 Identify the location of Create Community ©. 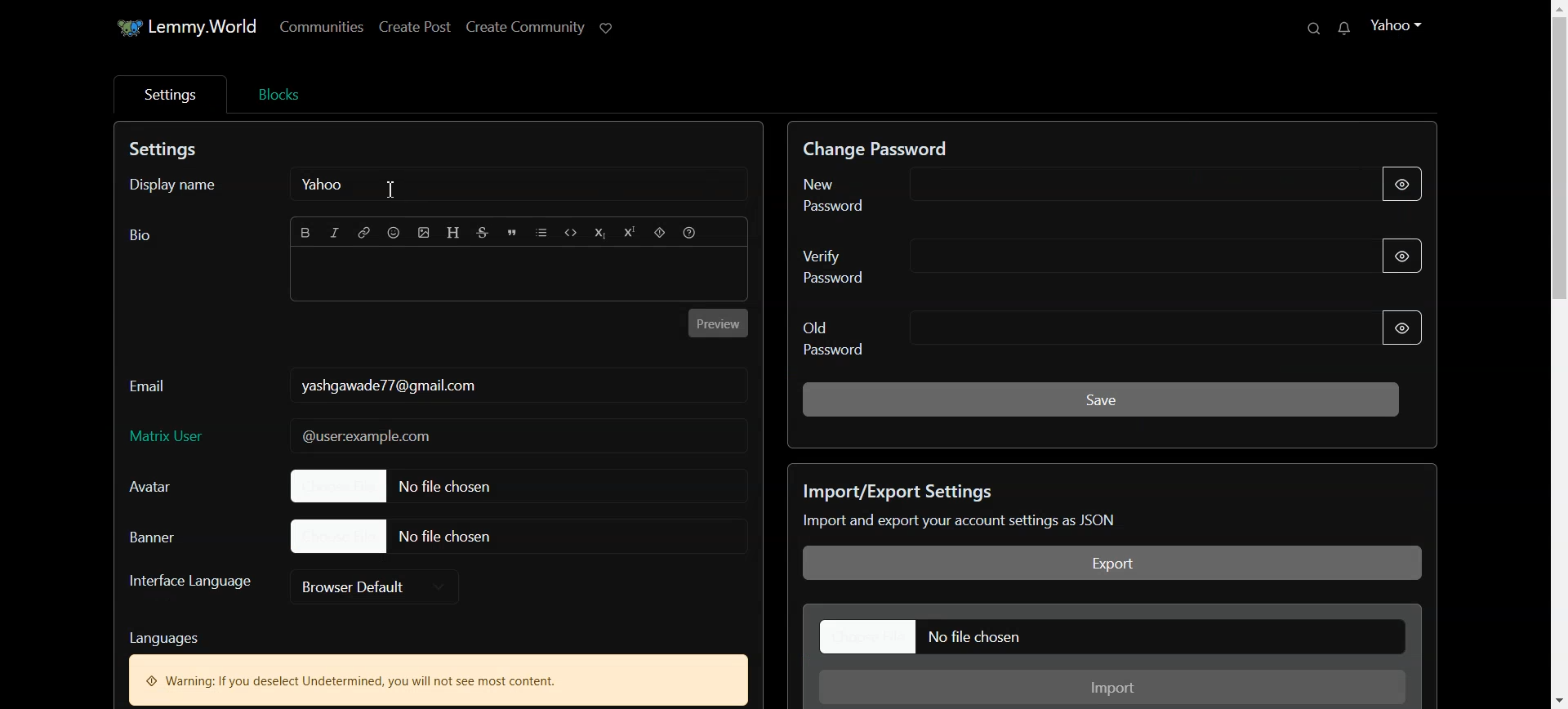
(542, 24).